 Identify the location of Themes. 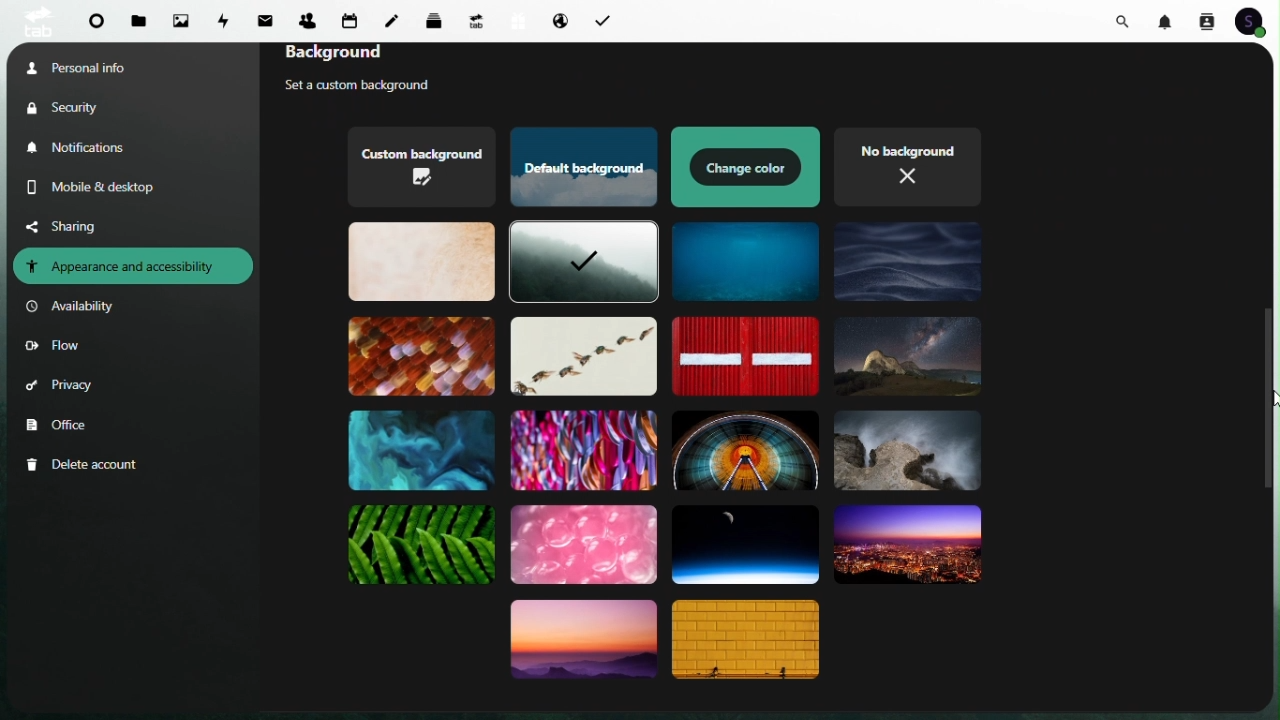
(907, 356).